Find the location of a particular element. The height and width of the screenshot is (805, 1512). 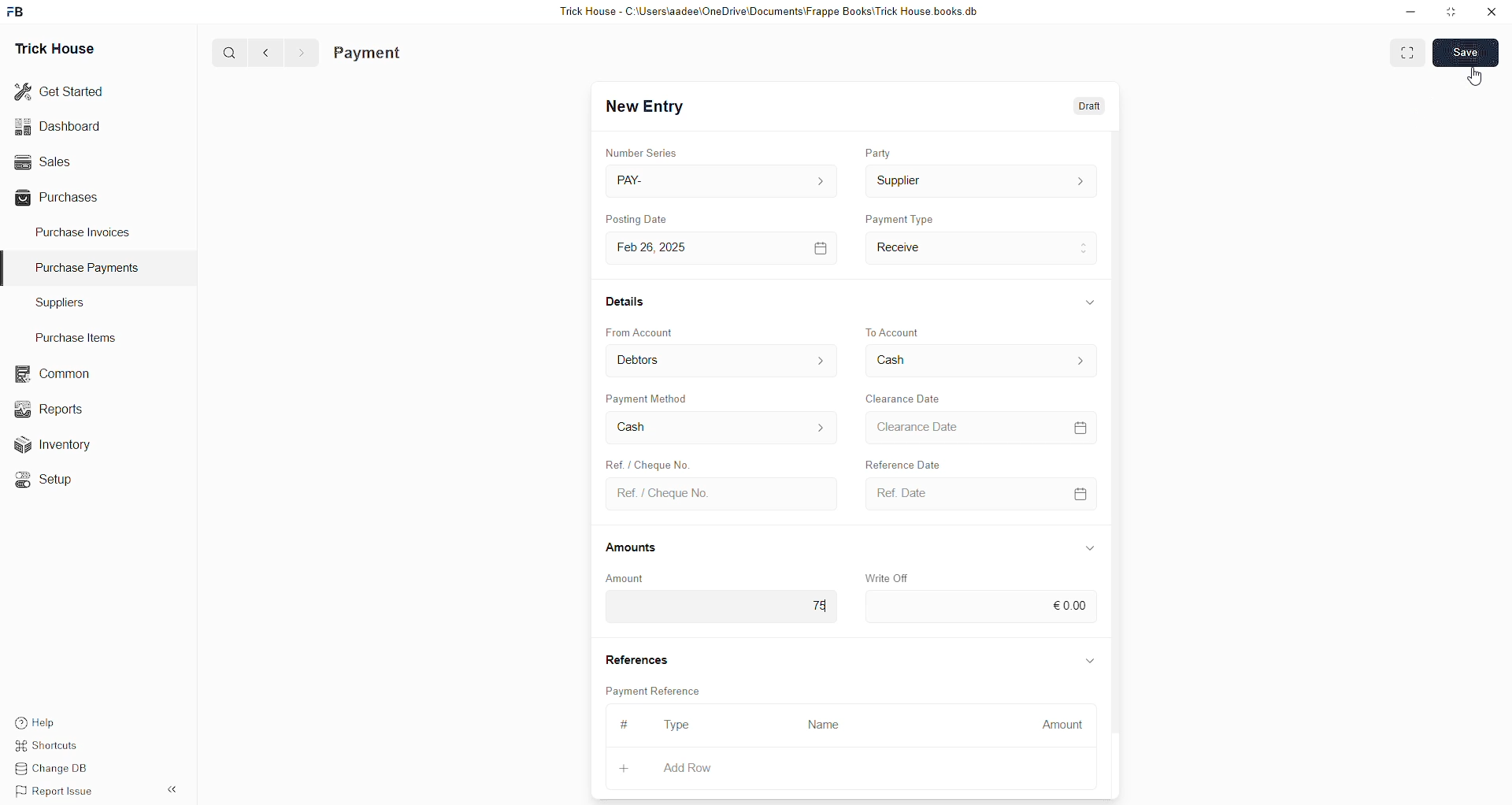

Report Issue is located at coordinates (51, 789).